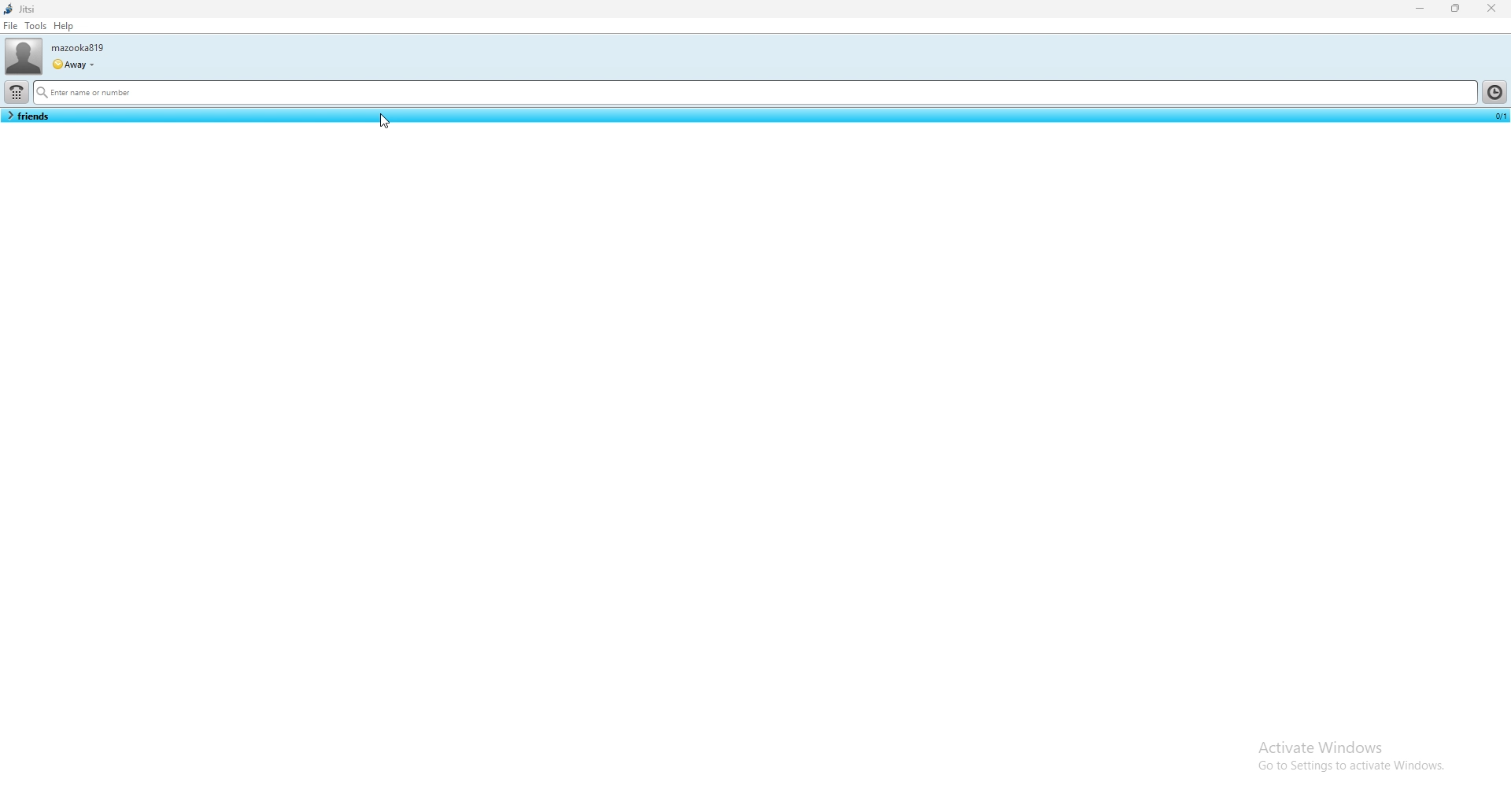 The image size is (1511, 812). Describe the element at coordinates (28, 115) in the screenshot. I see `contact list` at that location.